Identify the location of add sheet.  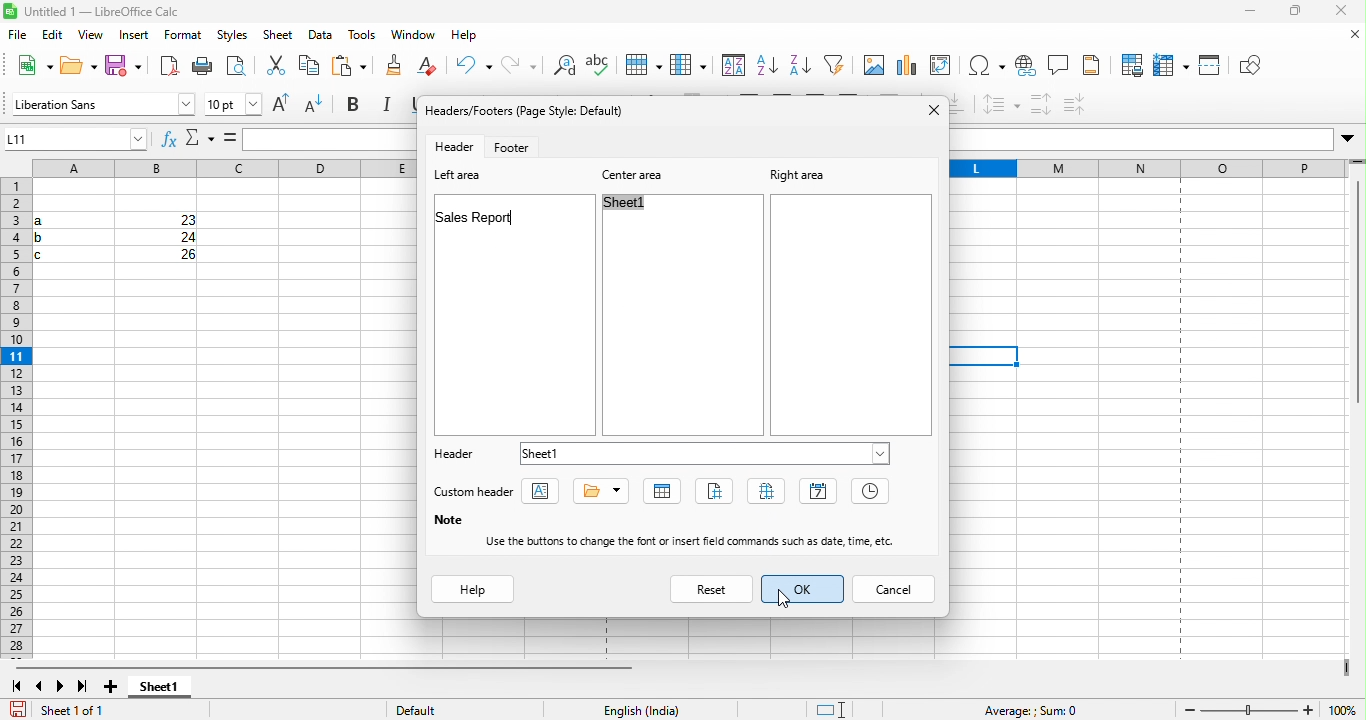
(113, 681).